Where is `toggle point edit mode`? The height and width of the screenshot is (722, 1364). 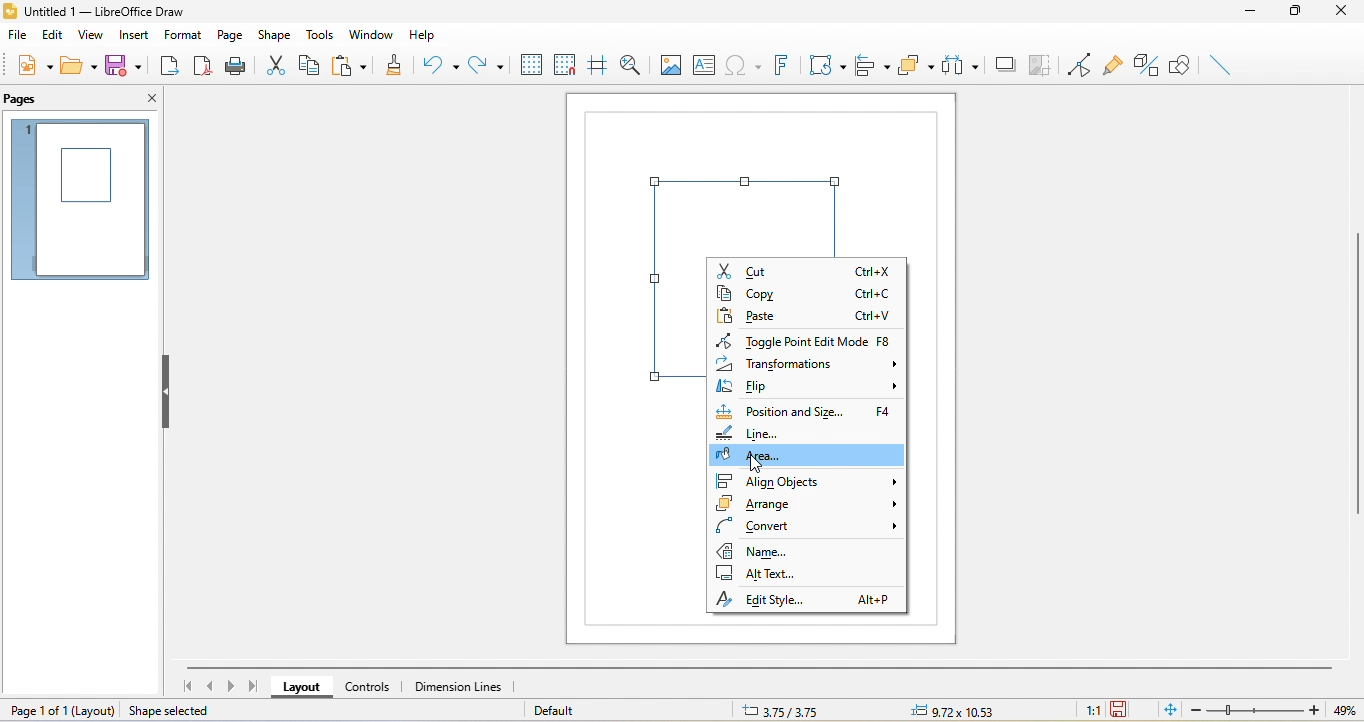 toggle point edit mode is located at coordinates (1080, 64).